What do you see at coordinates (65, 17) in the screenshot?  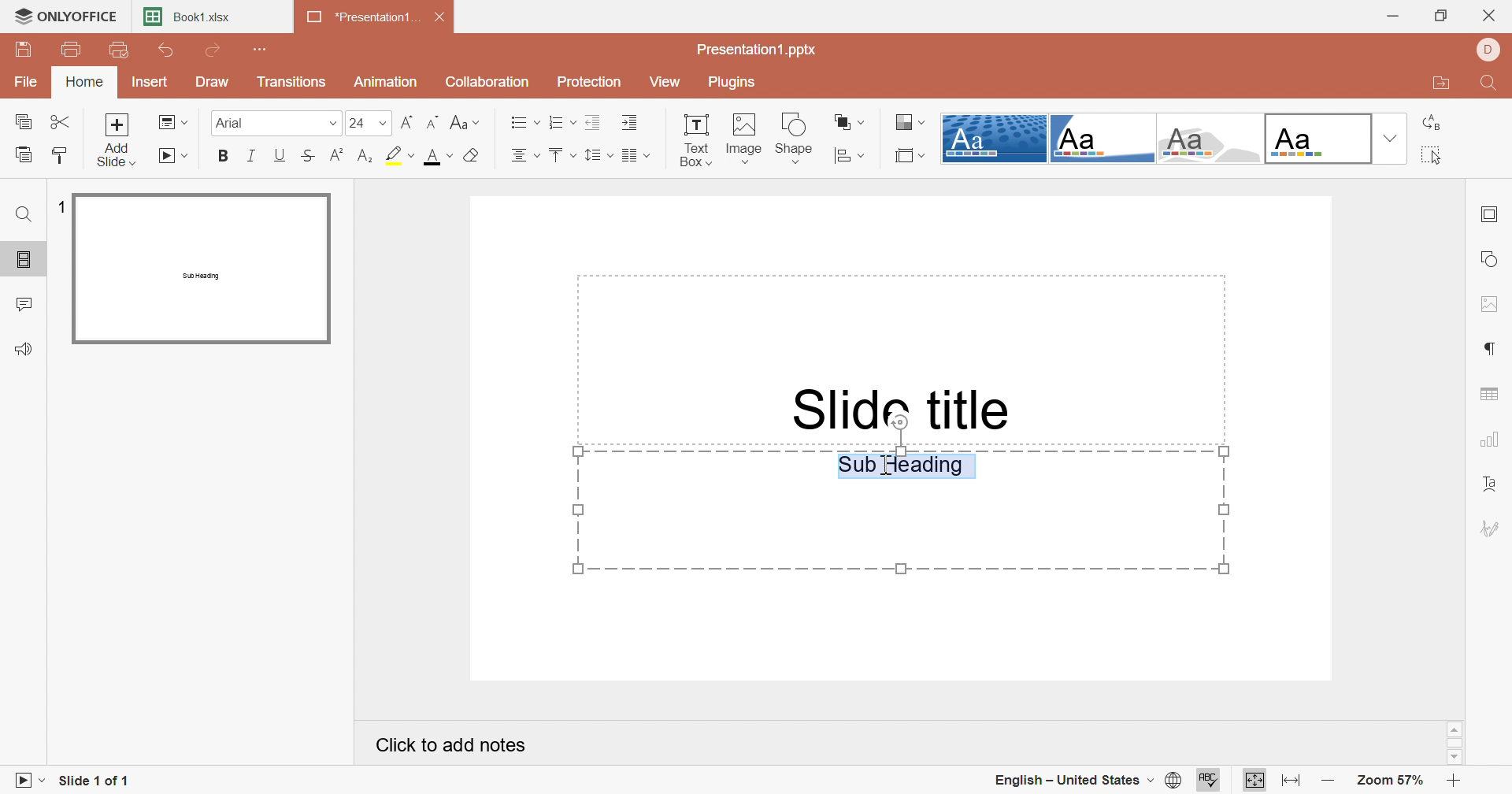 I see `ONLYOFFICE` at bounding box center [65, 17].